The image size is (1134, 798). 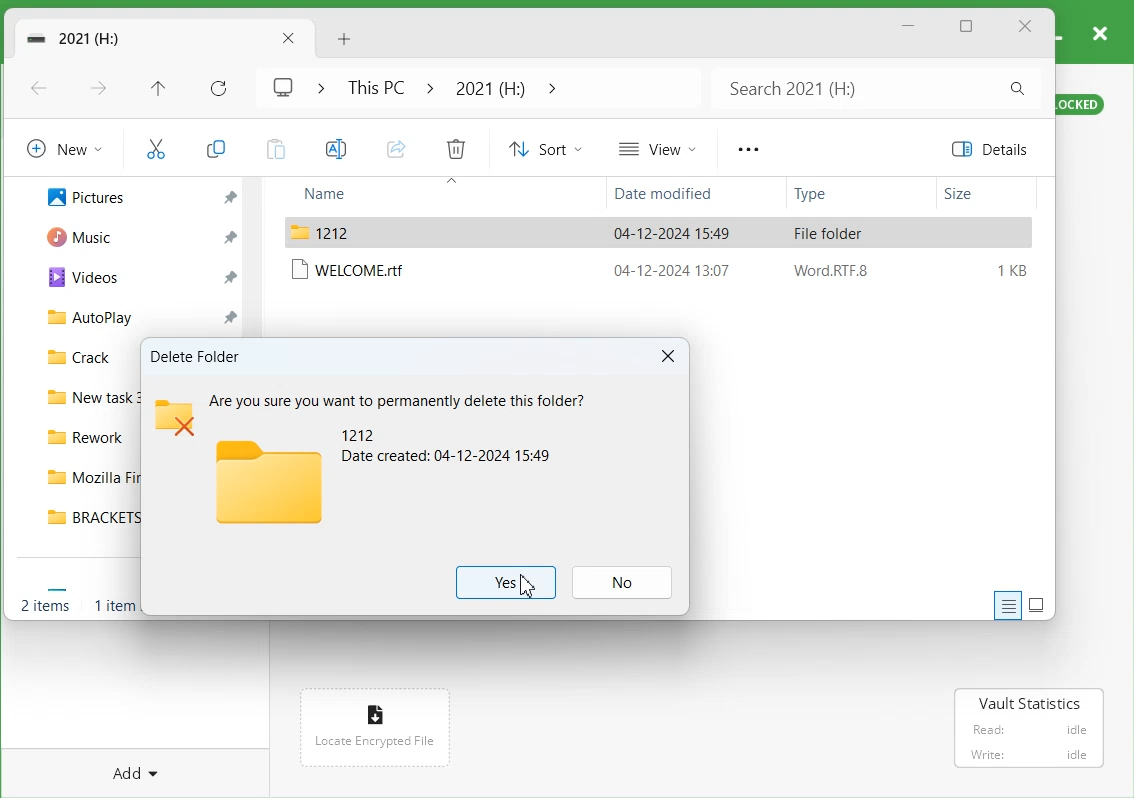 What do you see at coordinates (968, 27) in the screenshot?
I see `Maximize` at bounding box center [968, 27].